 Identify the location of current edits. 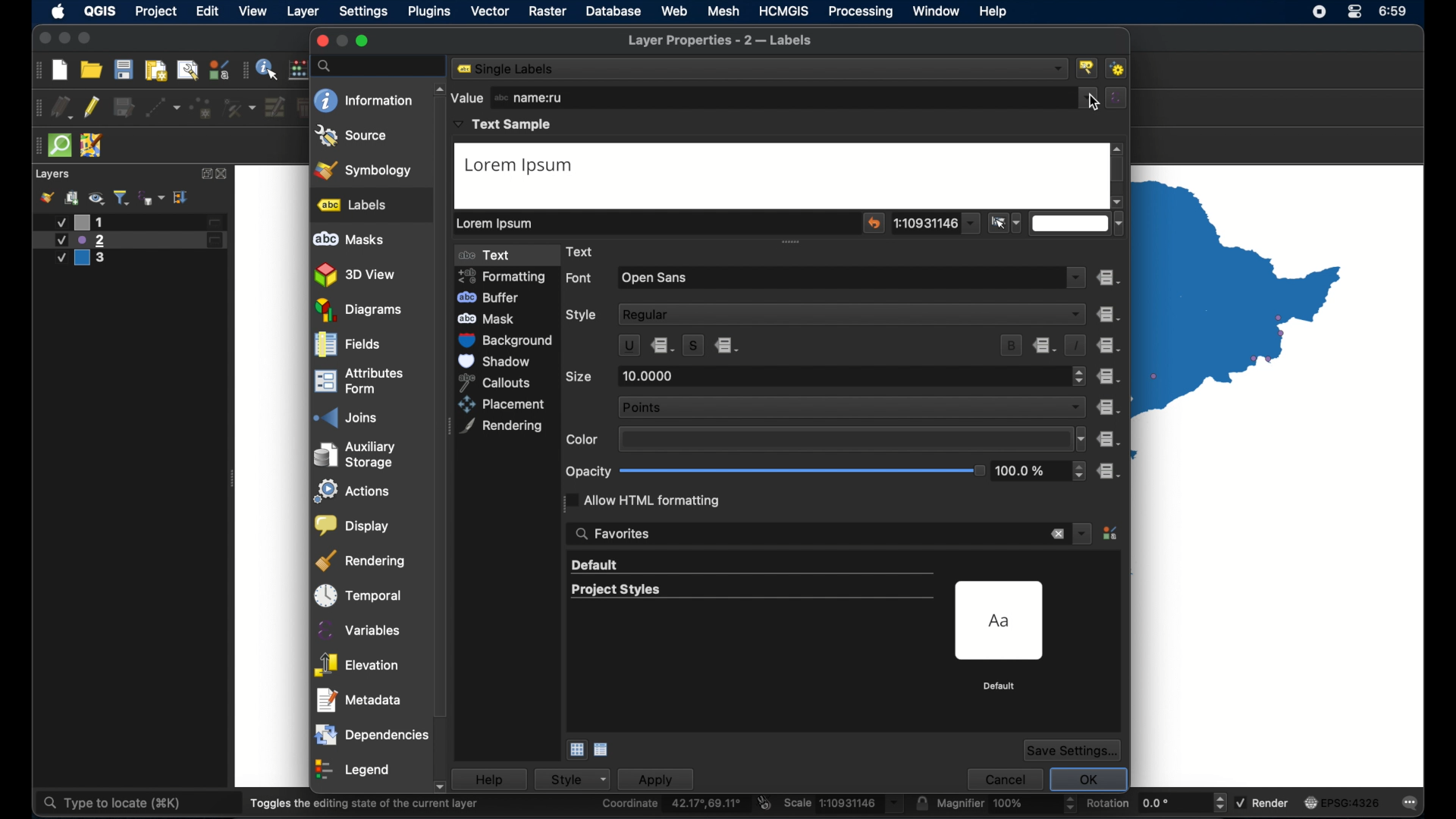
(61, 107).